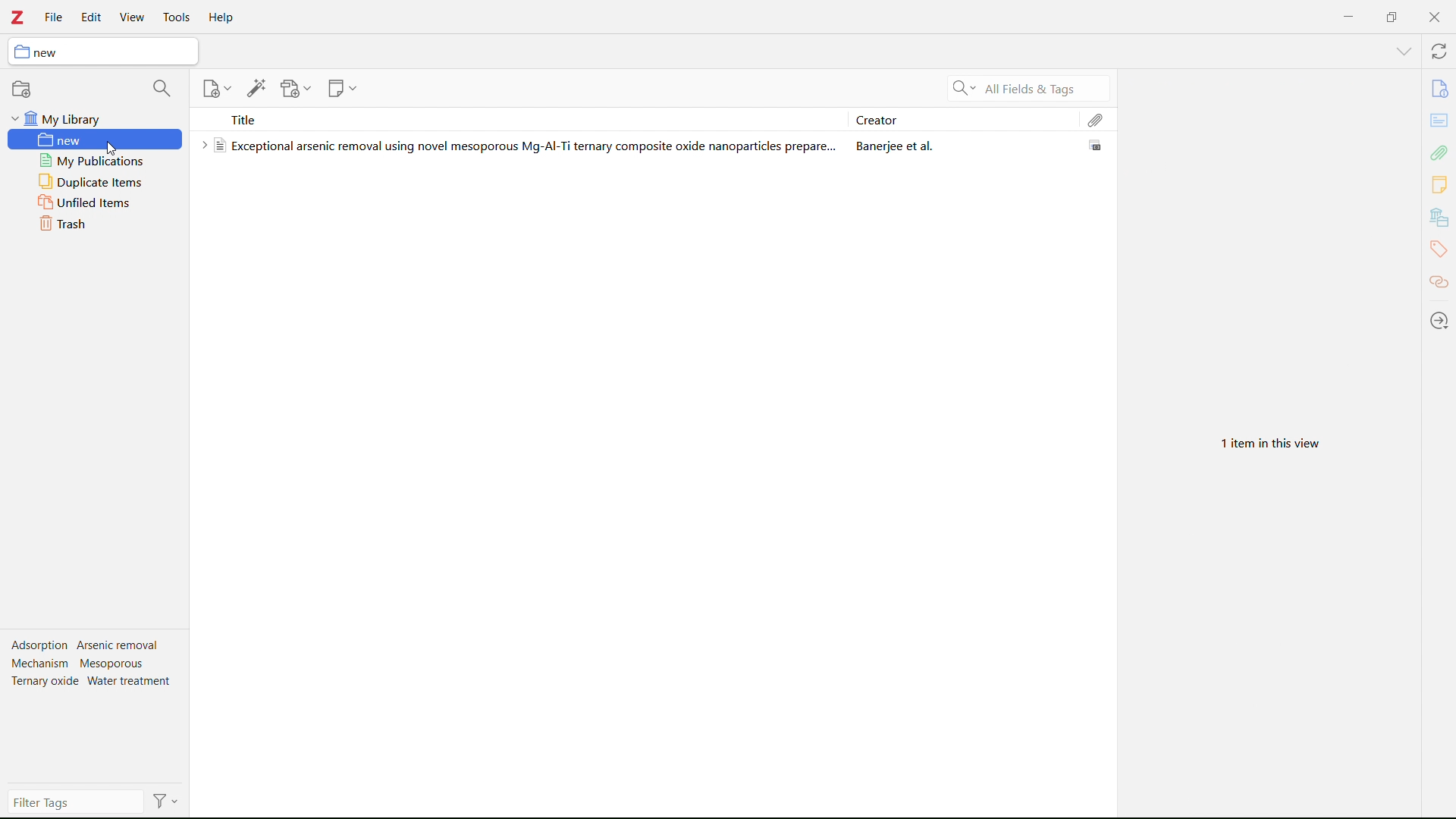 The width and height of the screenshot is (1456, 819). Describe the element at coordinates (161, 88) in the screenshot. I see `filter collections` at that location.